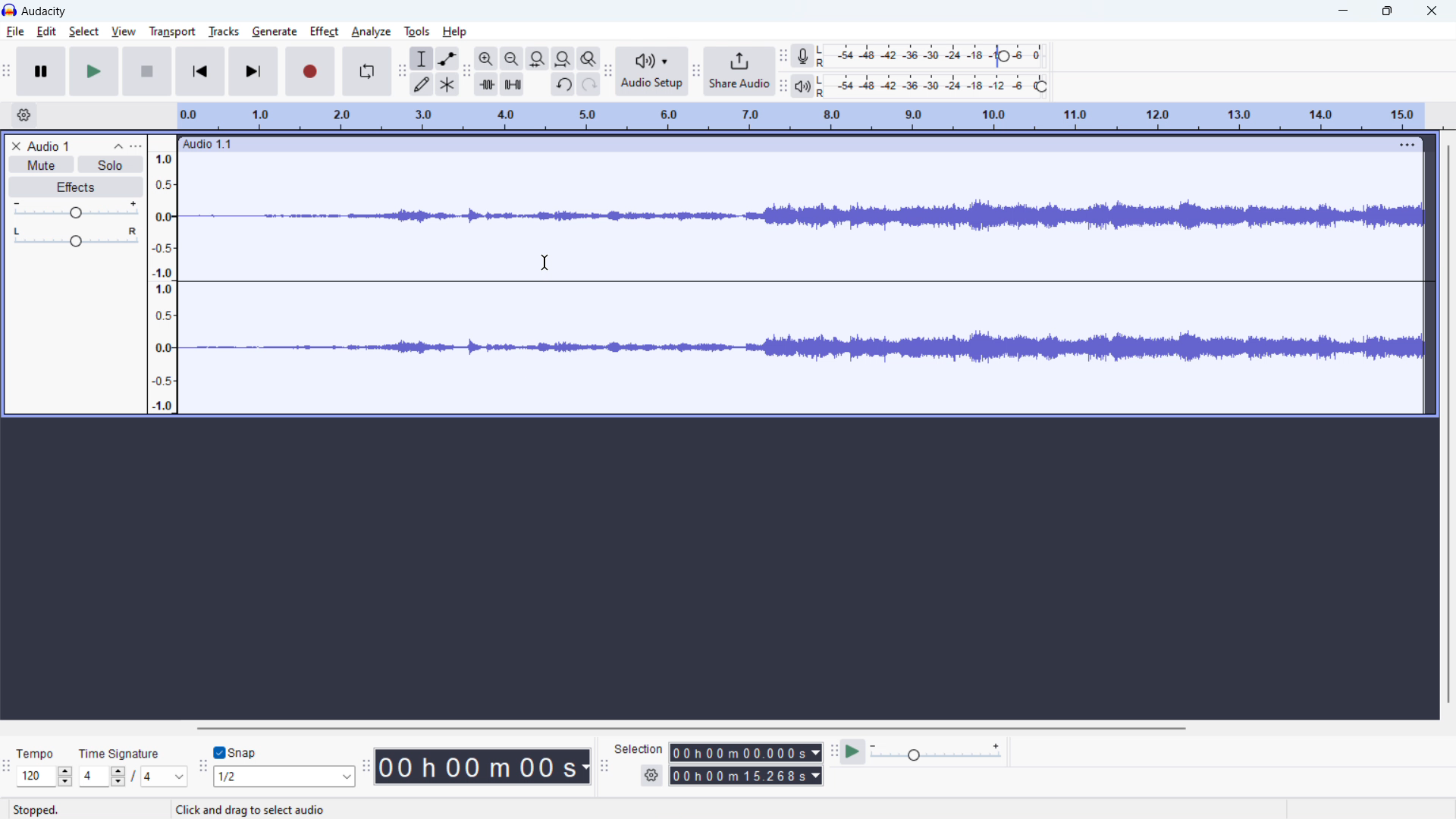  I want to click on playback meter toolbar, so click(783, 86).